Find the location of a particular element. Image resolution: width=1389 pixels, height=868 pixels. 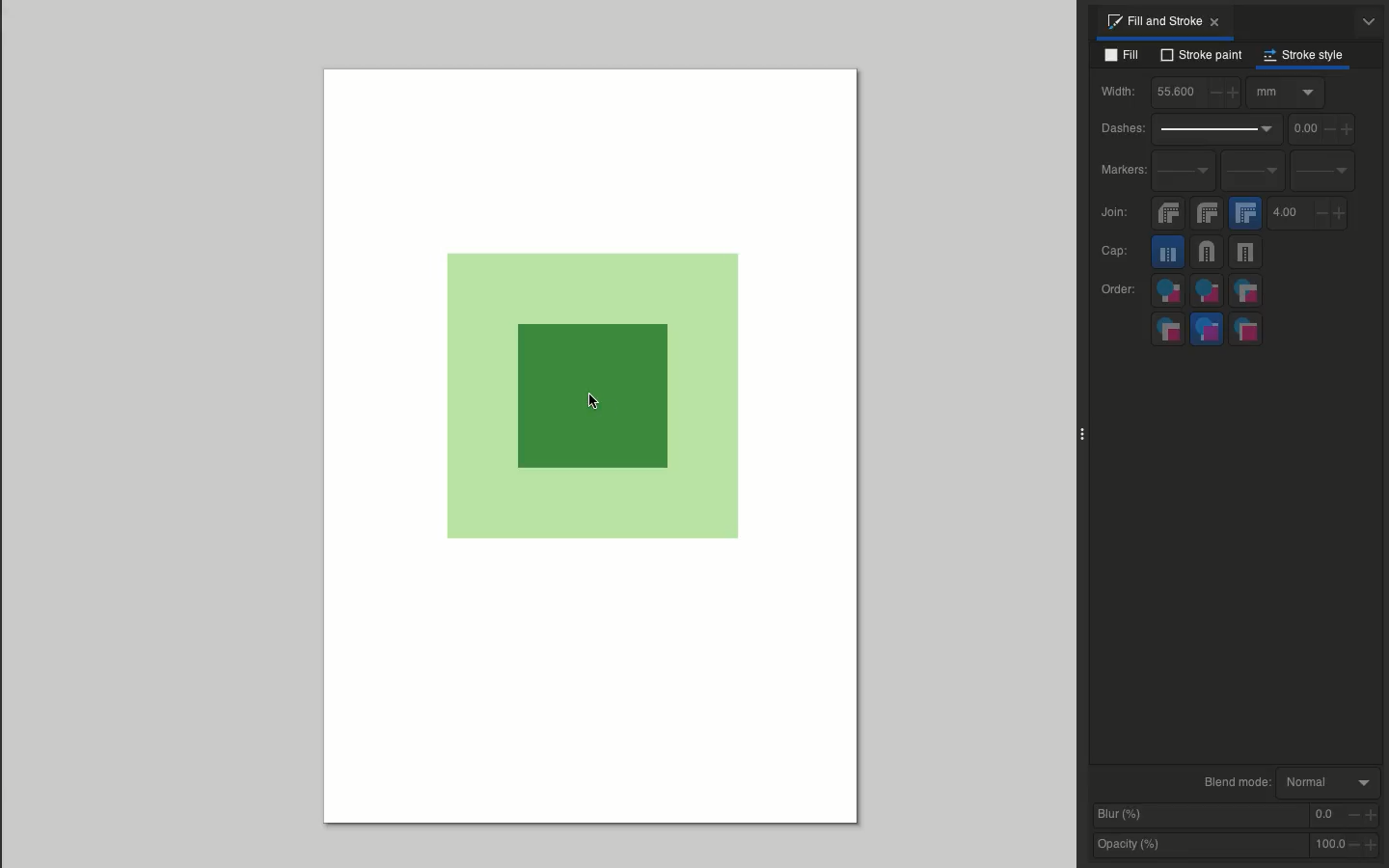

Options is located at coordinates (1365, 22).